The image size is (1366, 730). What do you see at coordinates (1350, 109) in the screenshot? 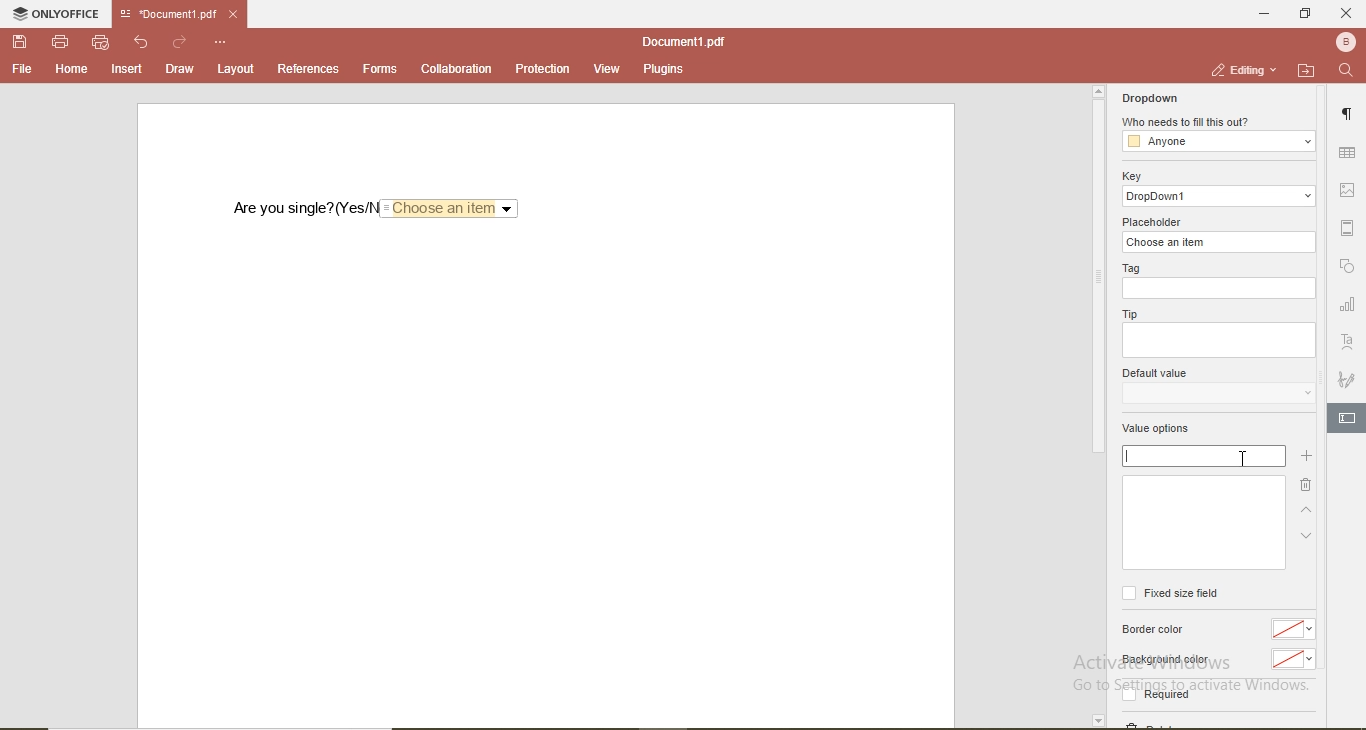
I see `paragraph` at bounding box center [1350, 109].